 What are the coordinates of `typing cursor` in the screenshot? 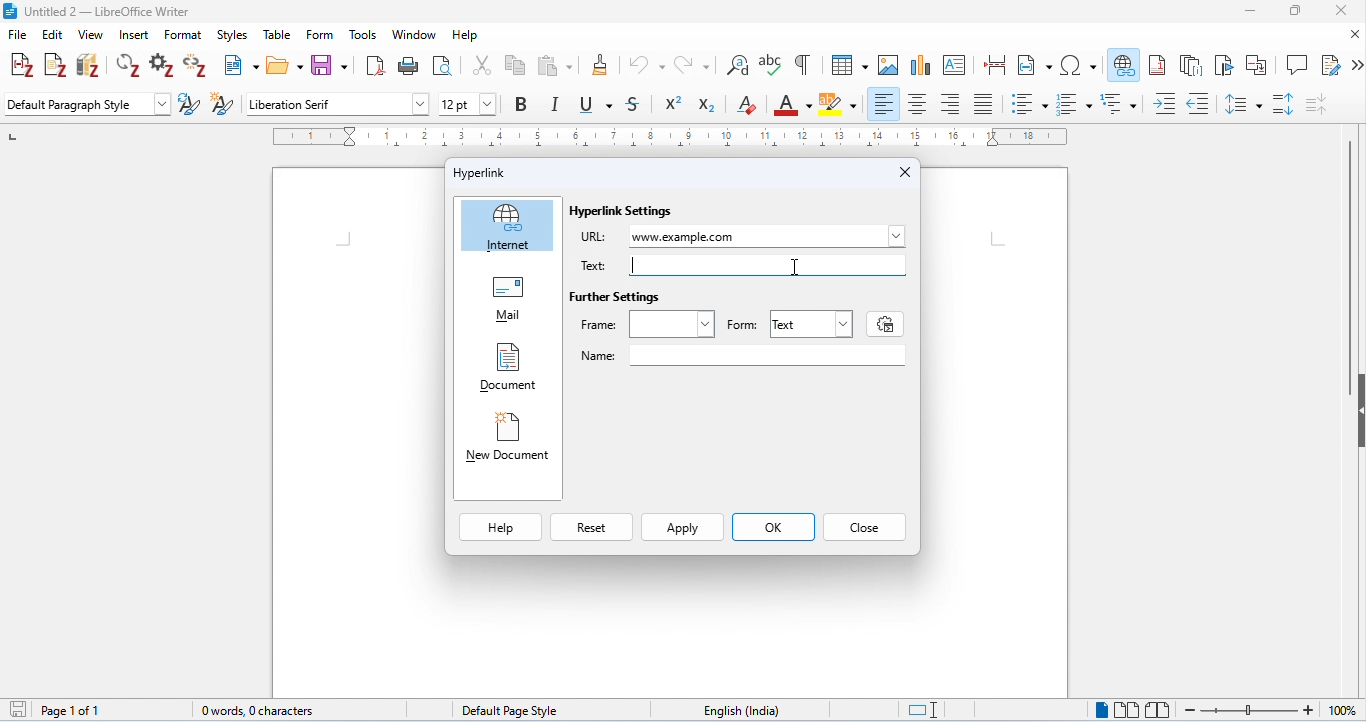 It's located at (350, 247).